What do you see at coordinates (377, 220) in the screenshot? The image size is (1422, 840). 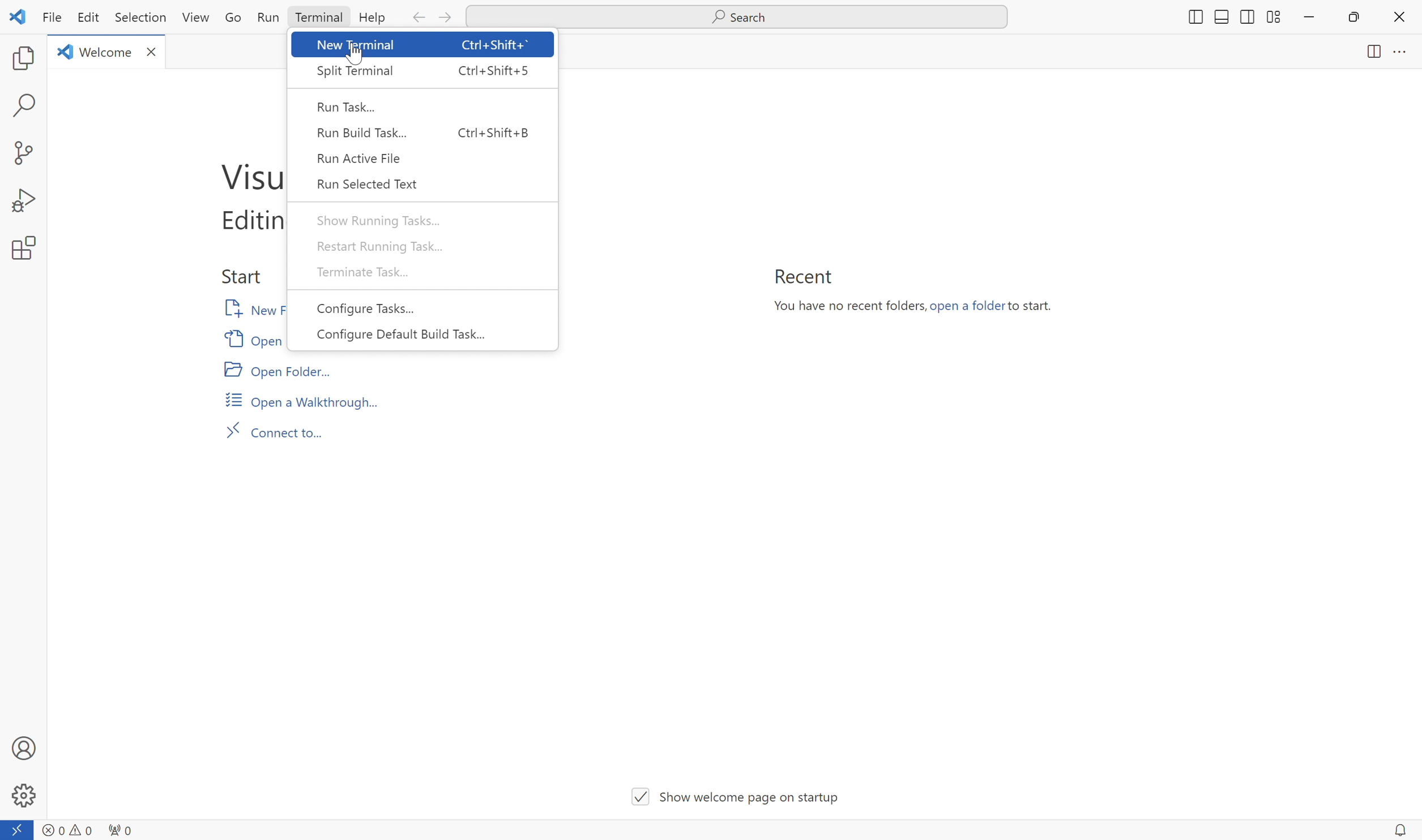 I see `Show Running Tasks...` at bounding box center [377, 220].